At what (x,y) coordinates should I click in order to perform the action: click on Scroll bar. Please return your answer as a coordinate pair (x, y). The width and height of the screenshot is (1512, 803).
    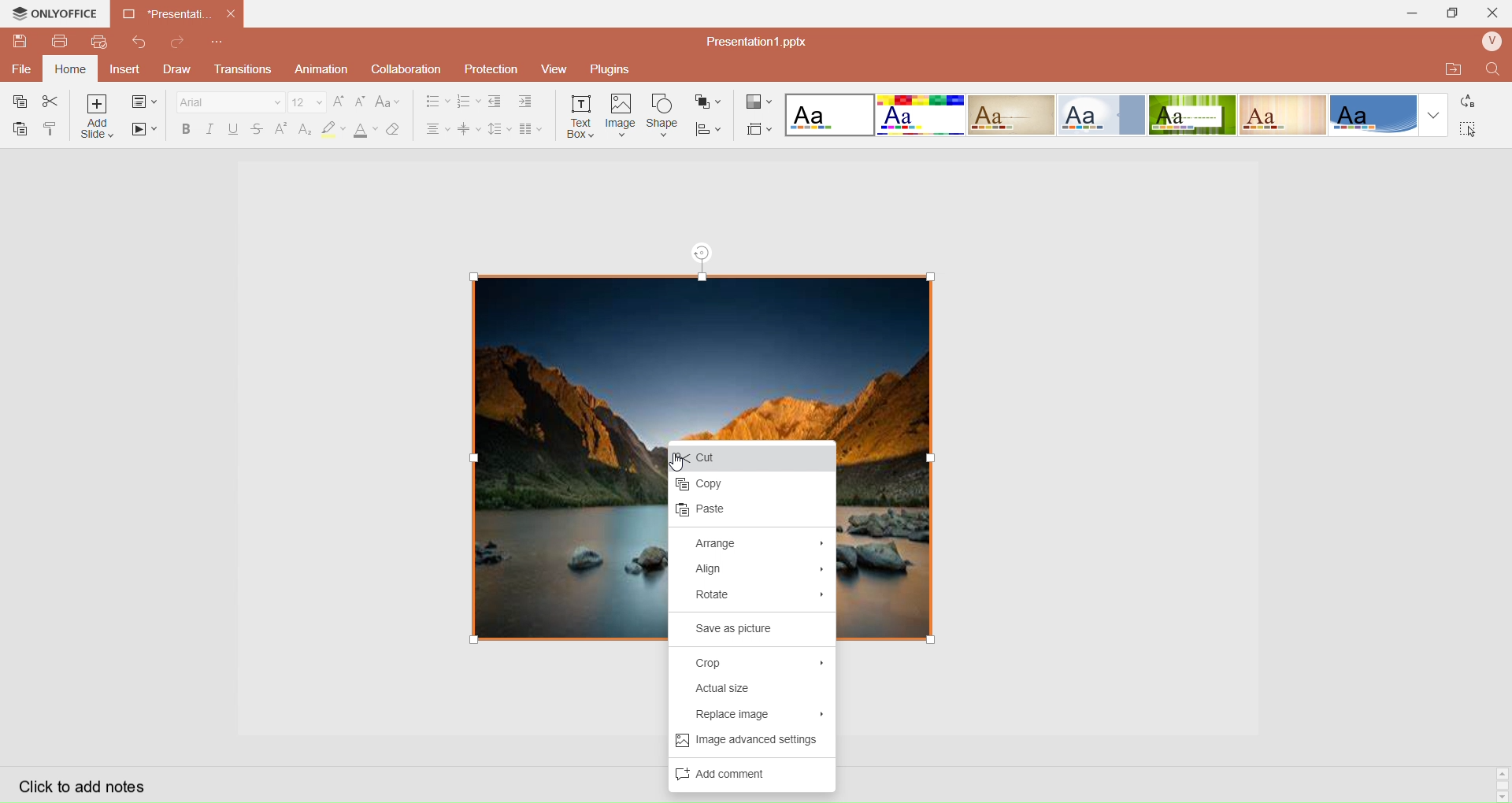
    Looking at the image, I should click on (1502, 785).